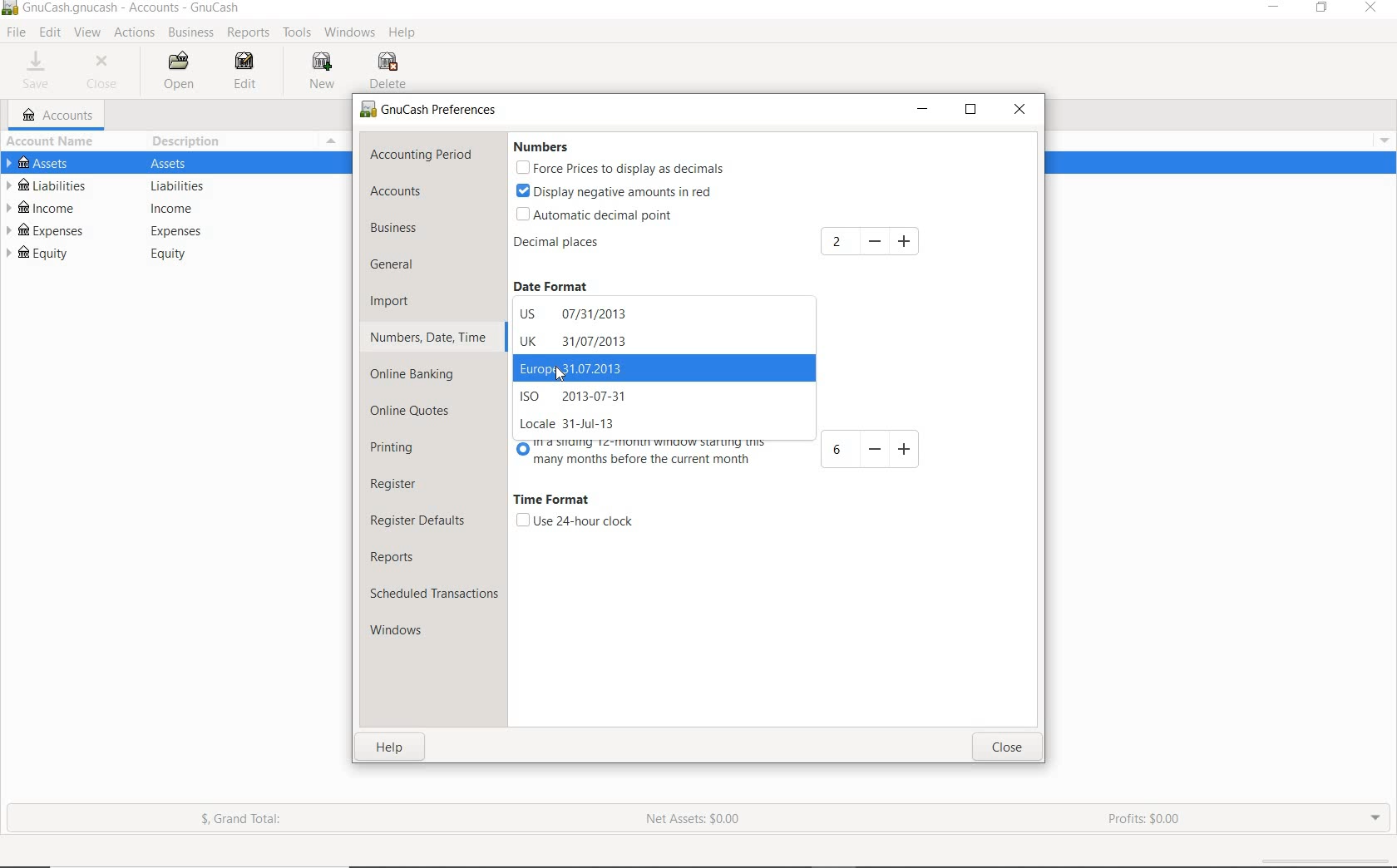  I want to click on LIABILITIES, so click(166, 187).